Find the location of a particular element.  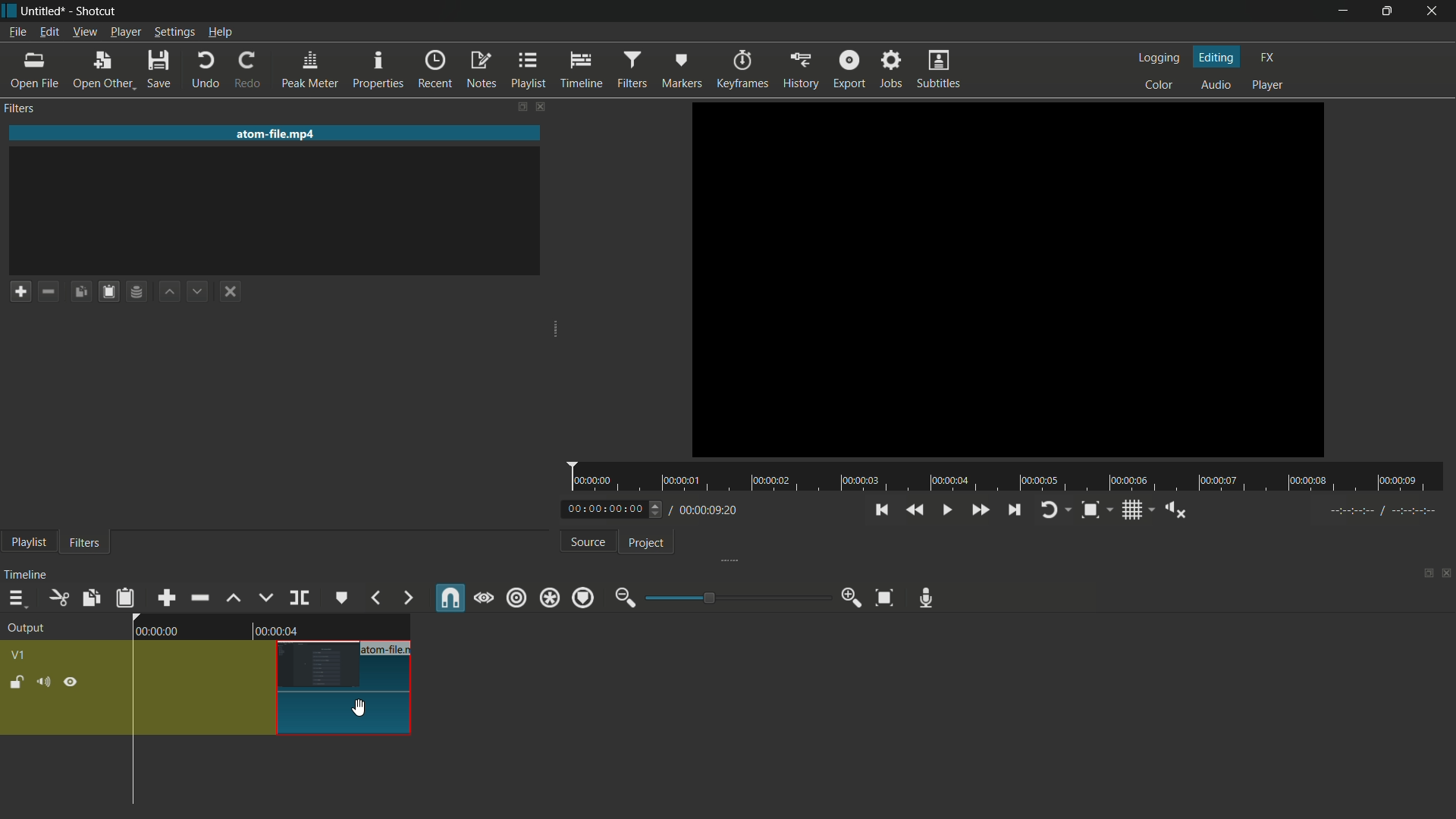

skip to the next point is located at coordinates (1014, 510).